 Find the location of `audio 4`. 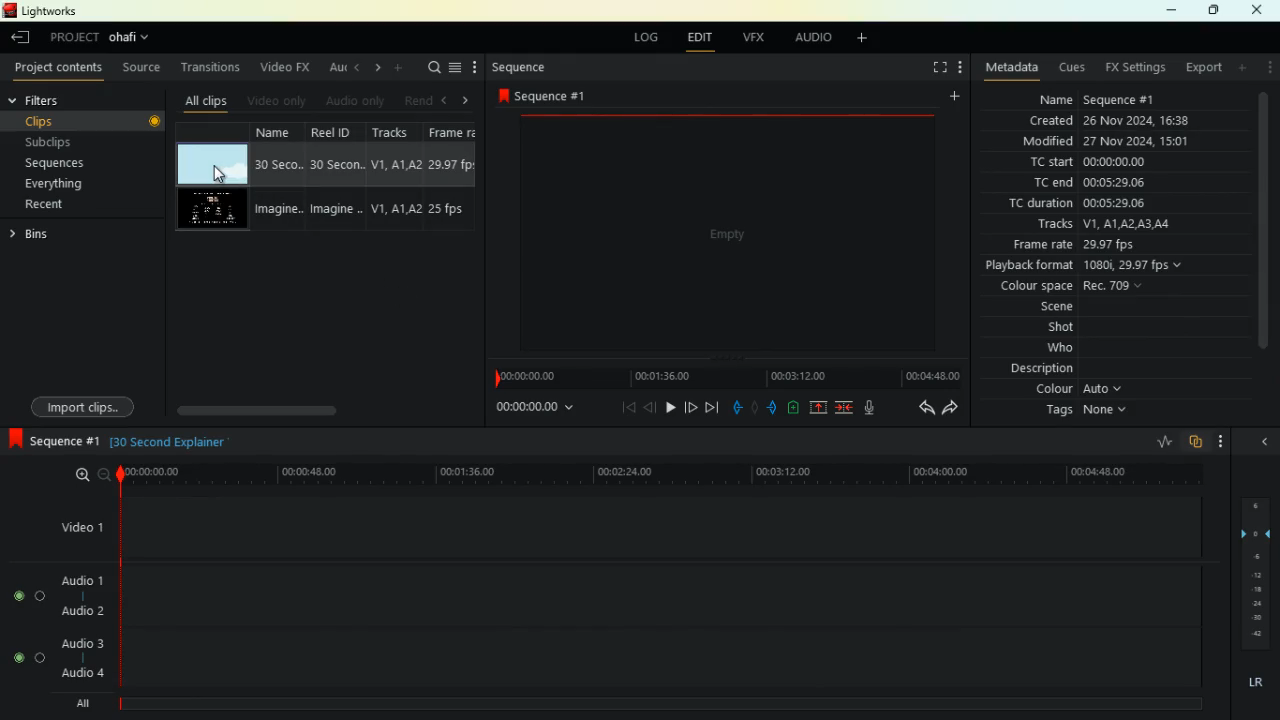

audio 4 is located at coordinates (83, 674).